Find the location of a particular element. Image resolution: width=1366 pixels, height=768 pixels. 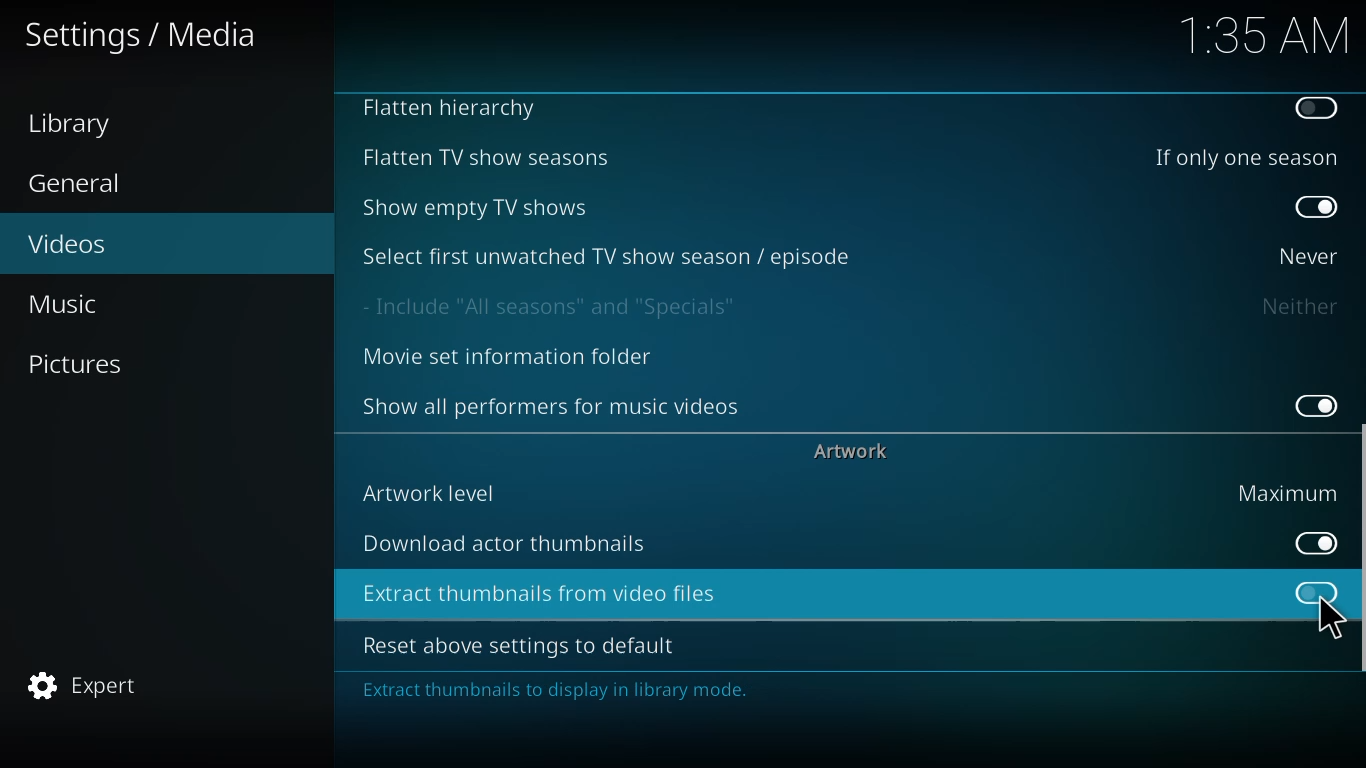

enabled is located at coordinates (1317, 208).